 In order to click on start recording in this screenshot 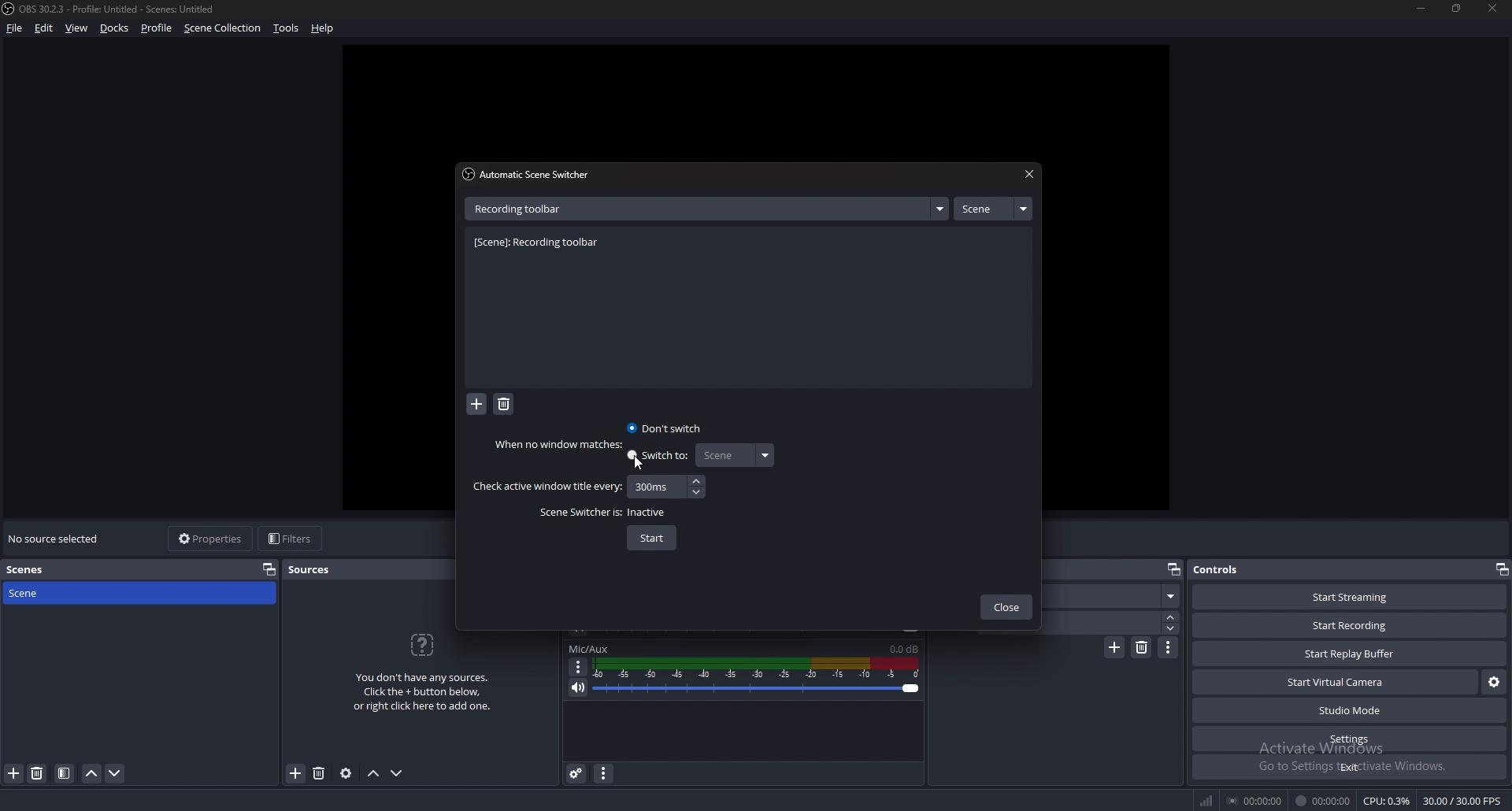, I will do `click(1349, 626)`.